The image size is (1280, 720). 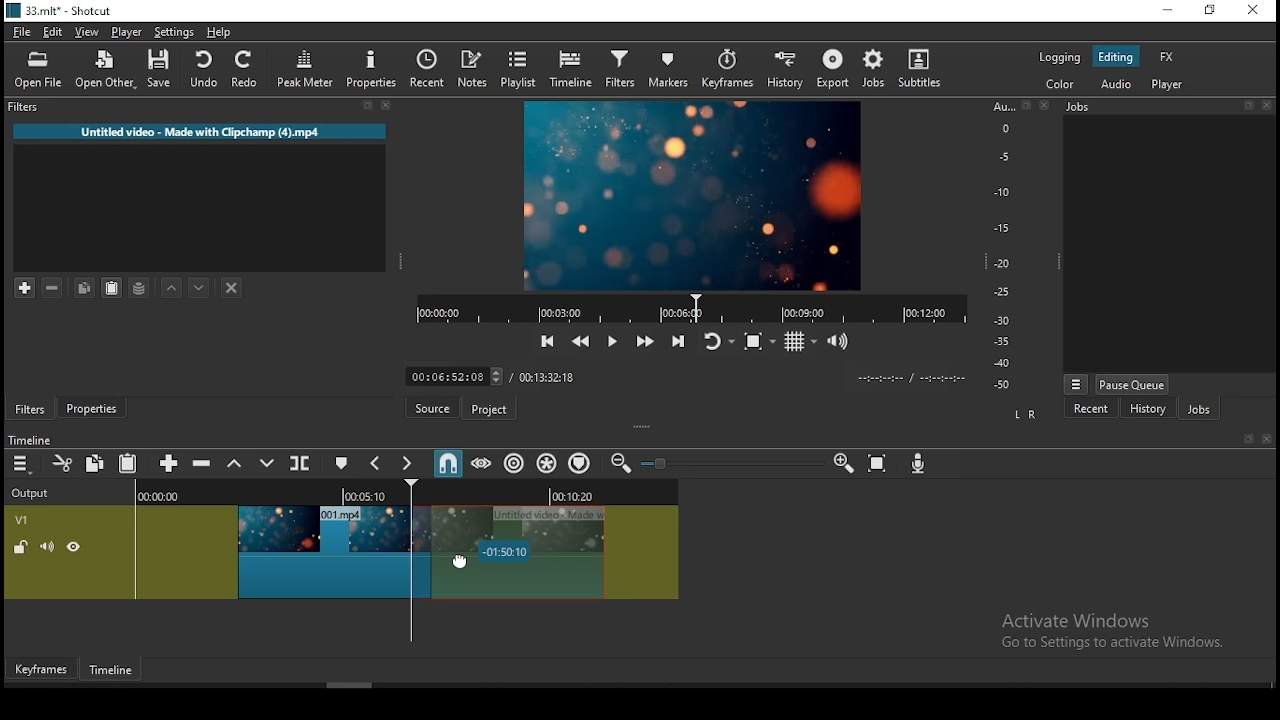 I want to click on maximise, so click(x=1211, y=11).